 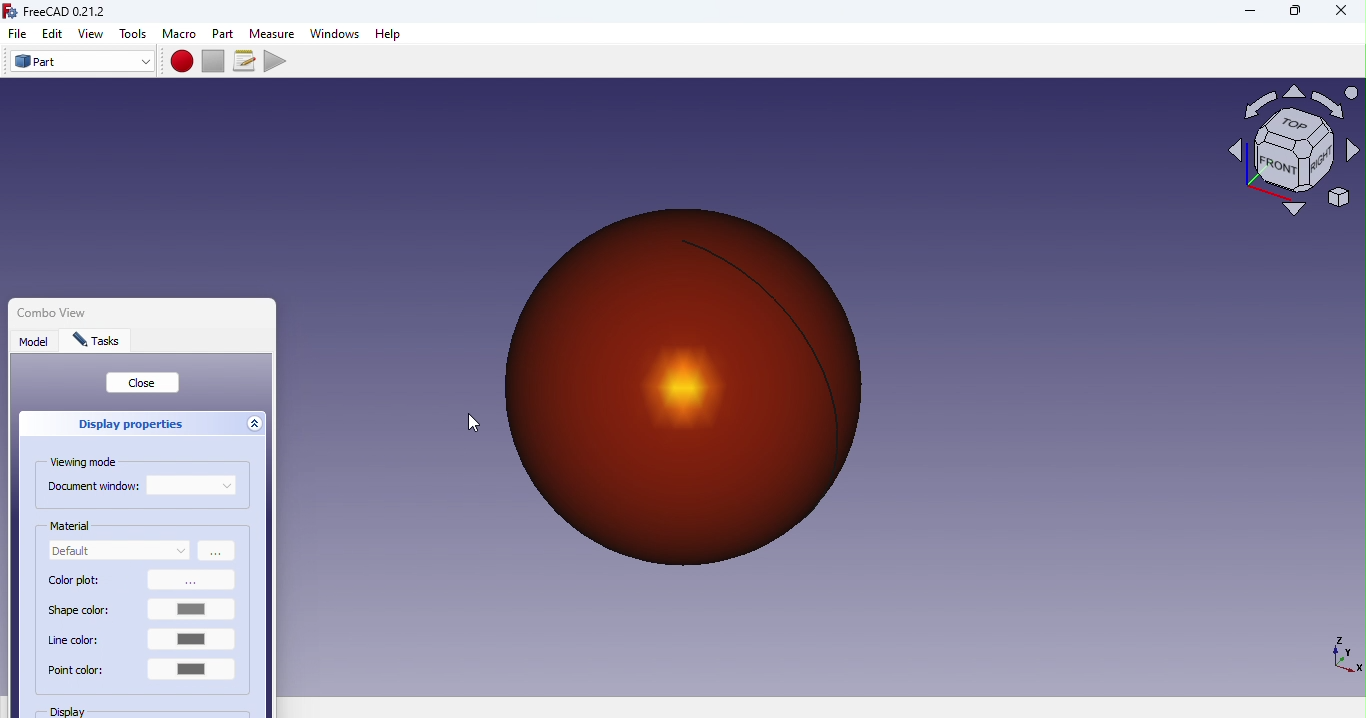 I want to click on Drop down menu, so click(x=192, y=485).